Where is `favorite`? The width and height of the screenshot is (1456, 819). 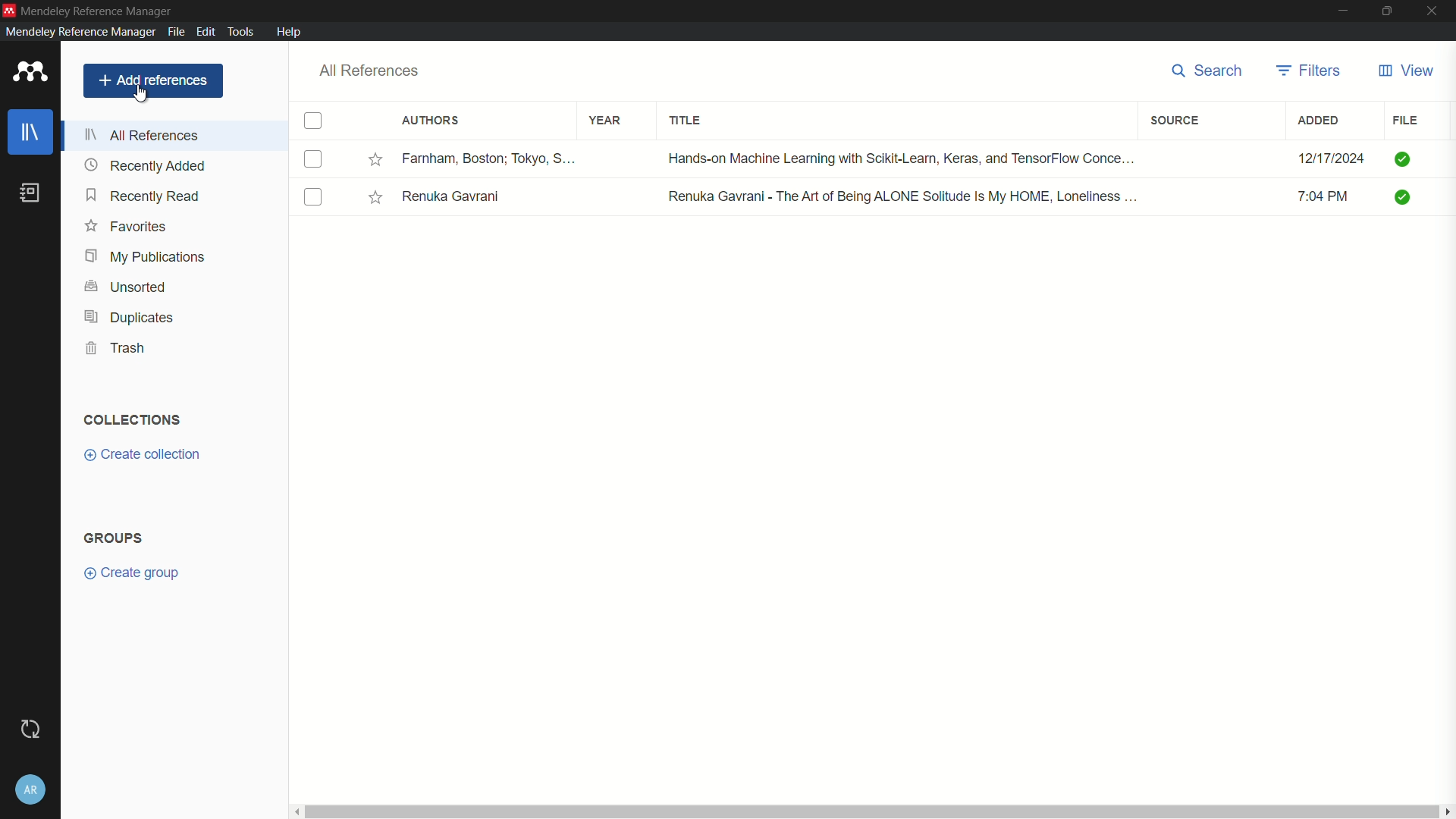
favorite is located at coordinates (126, 227).